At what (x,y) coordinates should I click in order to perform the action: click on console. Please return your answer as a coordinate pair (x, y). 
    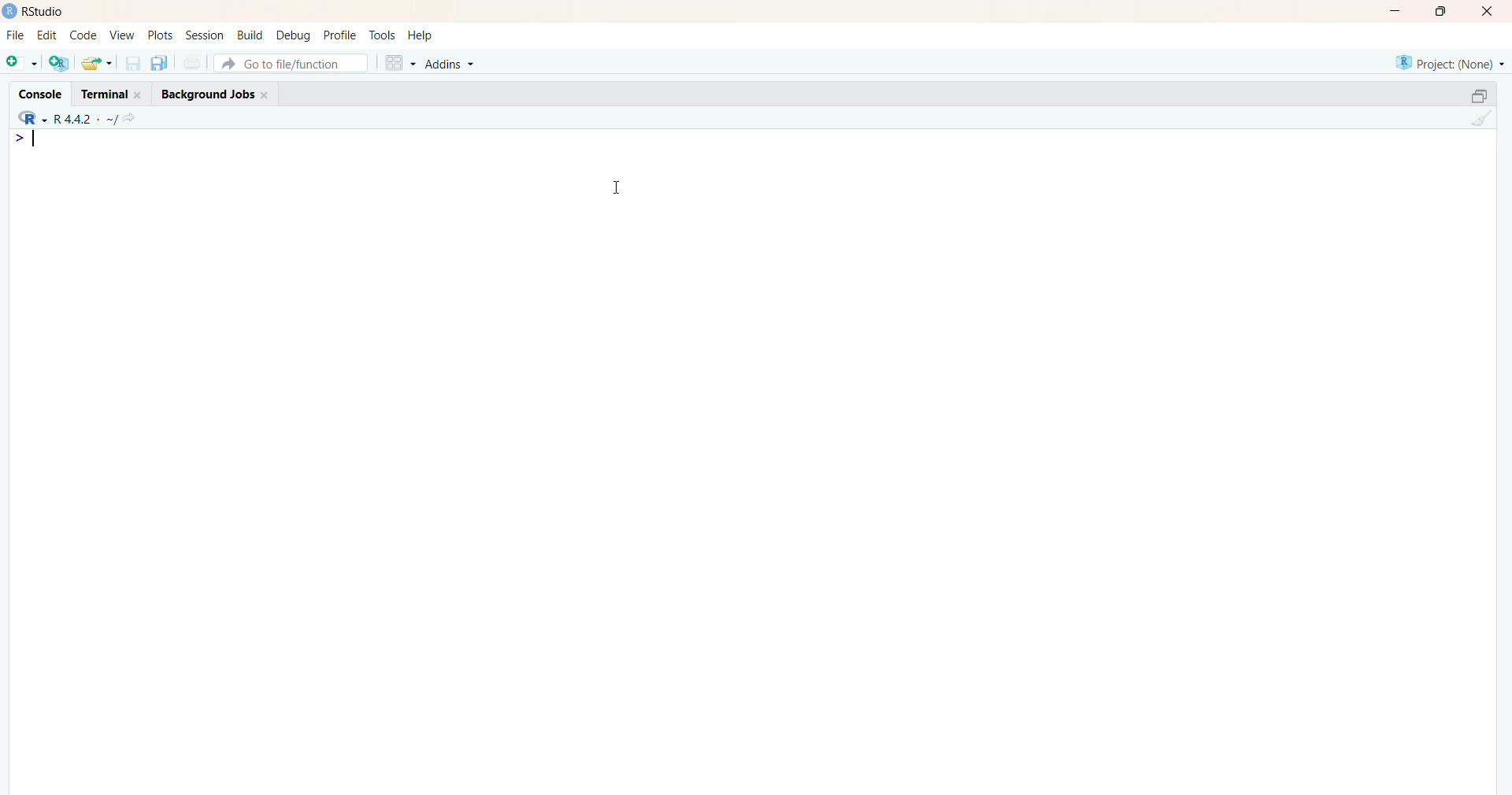
    Looking at the image, I should click on (39, 96).